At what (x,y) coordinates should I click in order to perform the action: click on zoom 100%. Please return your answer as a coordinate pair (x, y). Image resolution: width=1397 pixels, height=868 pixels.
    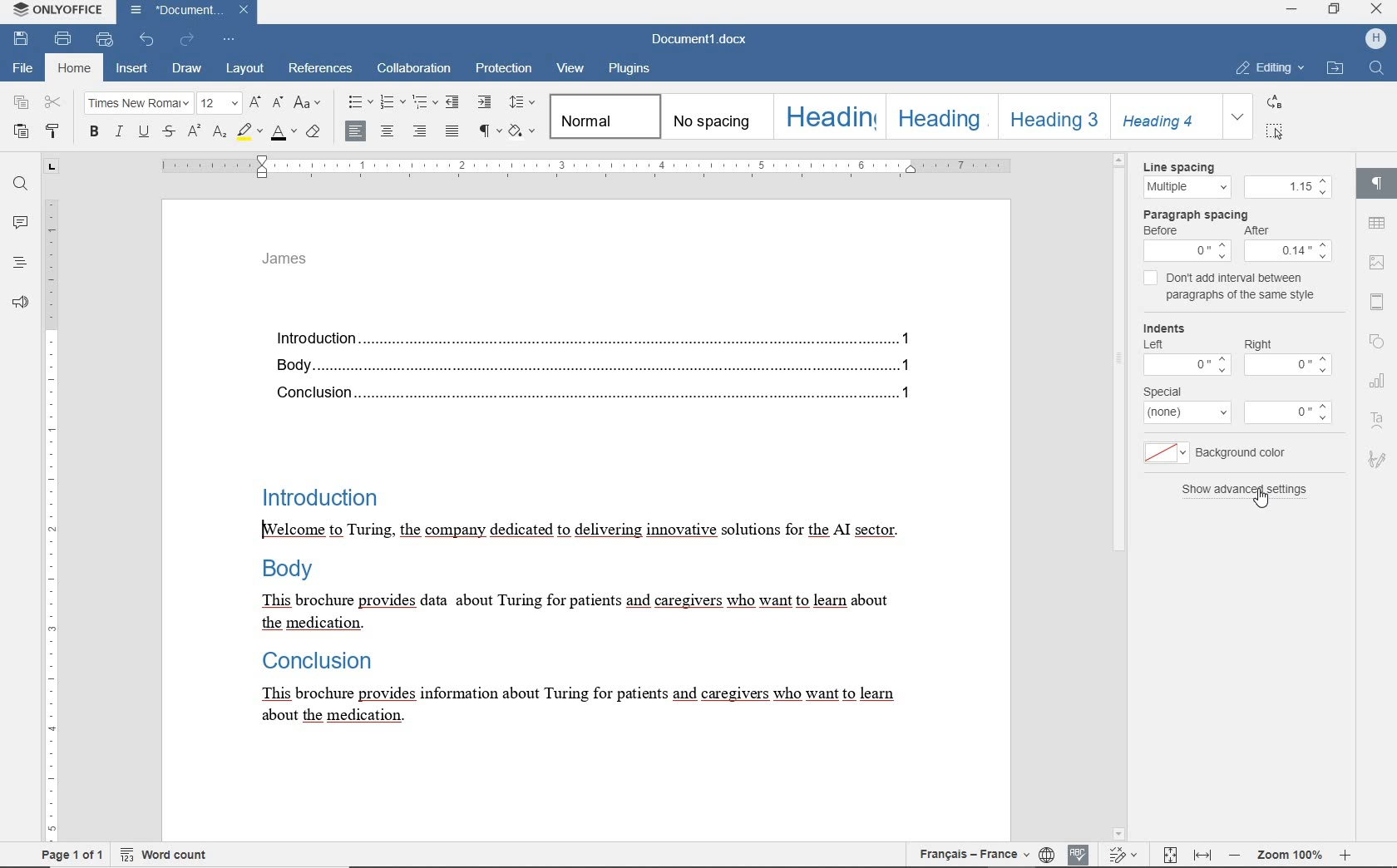
    Looking at the image, I should click on (1287, 857).